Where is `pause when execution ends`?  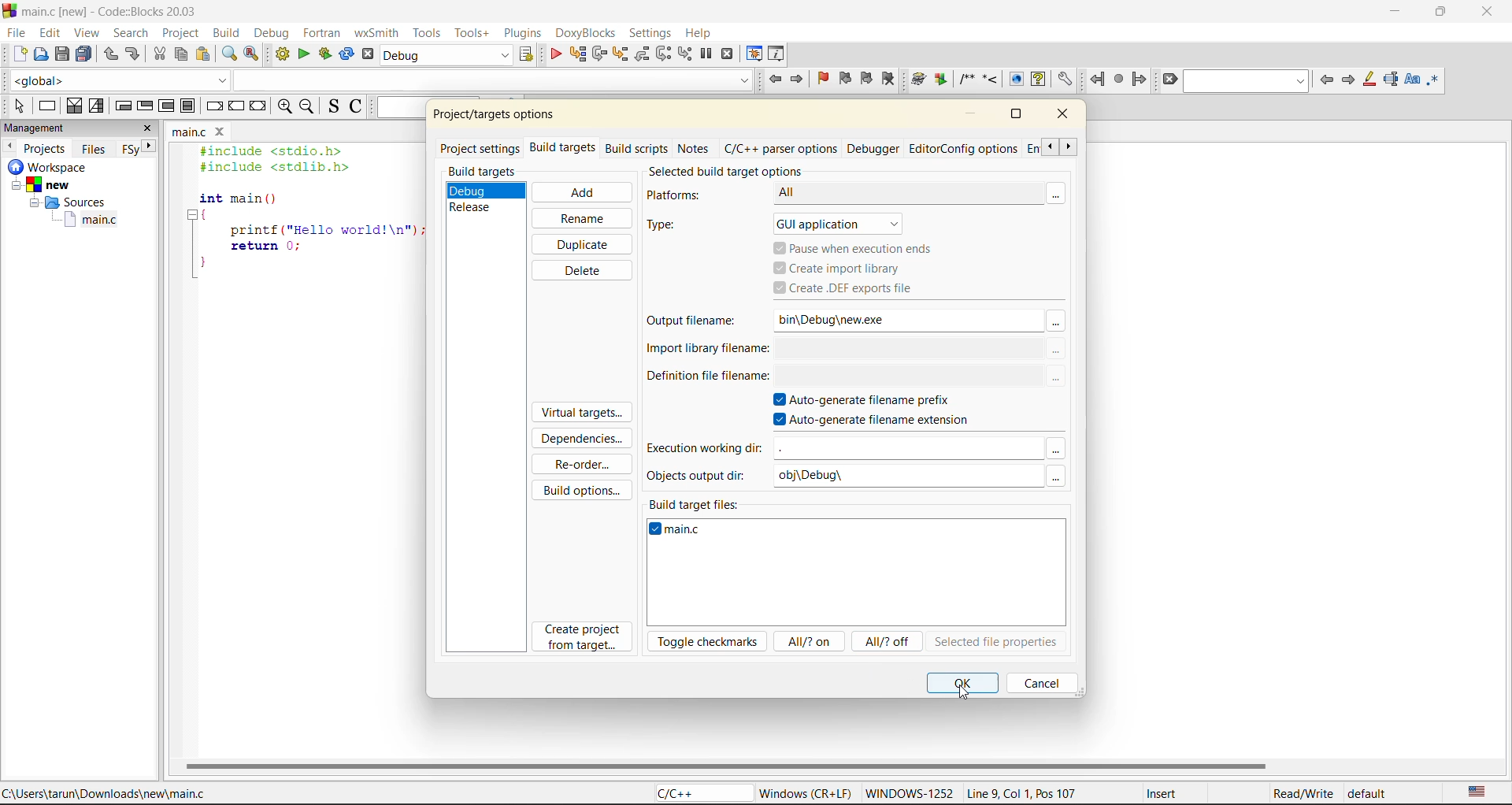
pause when execution ends is located at coordinates (858, 248).